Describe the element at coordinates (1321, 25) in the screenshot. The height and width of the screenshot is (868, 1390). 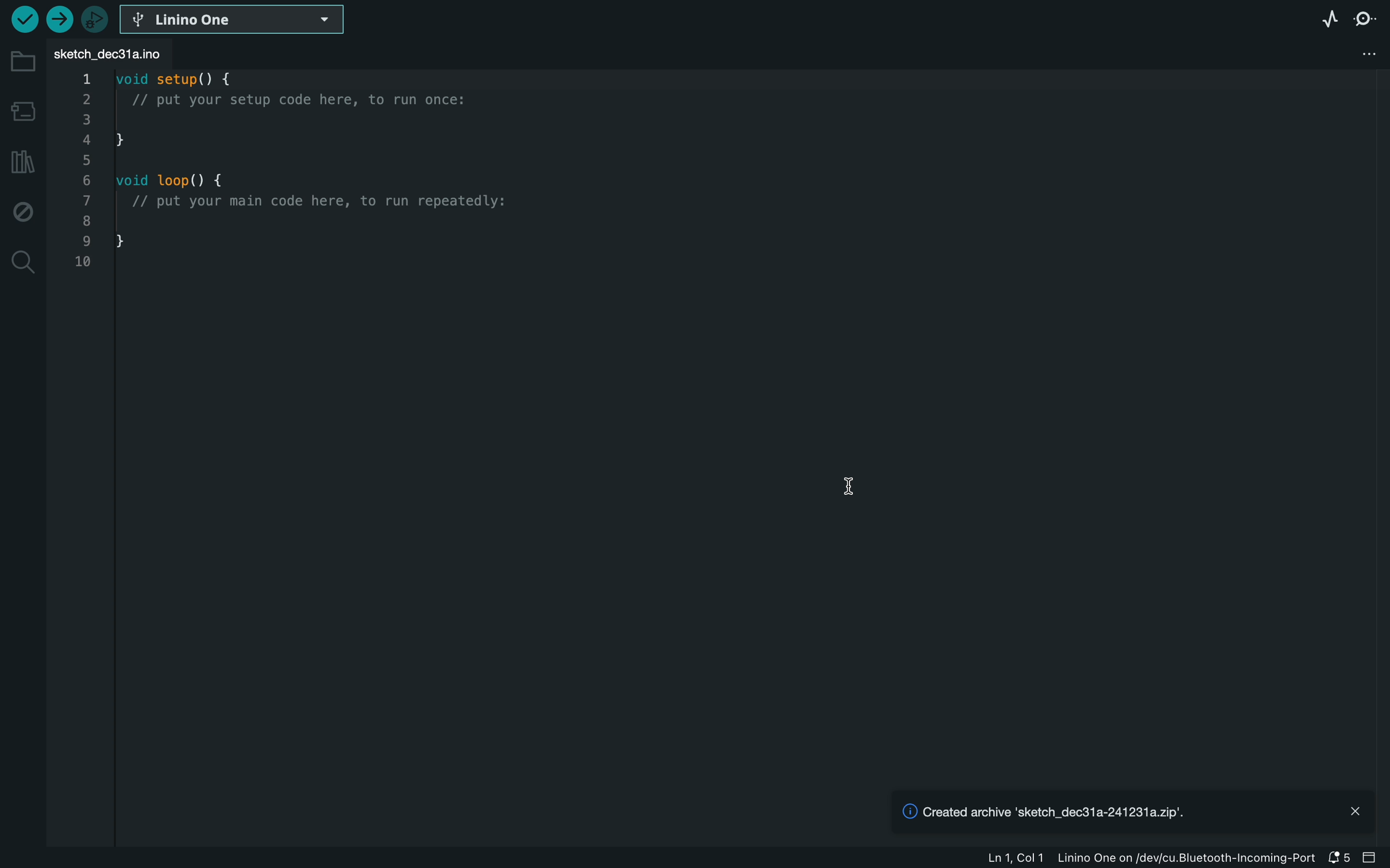
I see `serial plotter` at that location.